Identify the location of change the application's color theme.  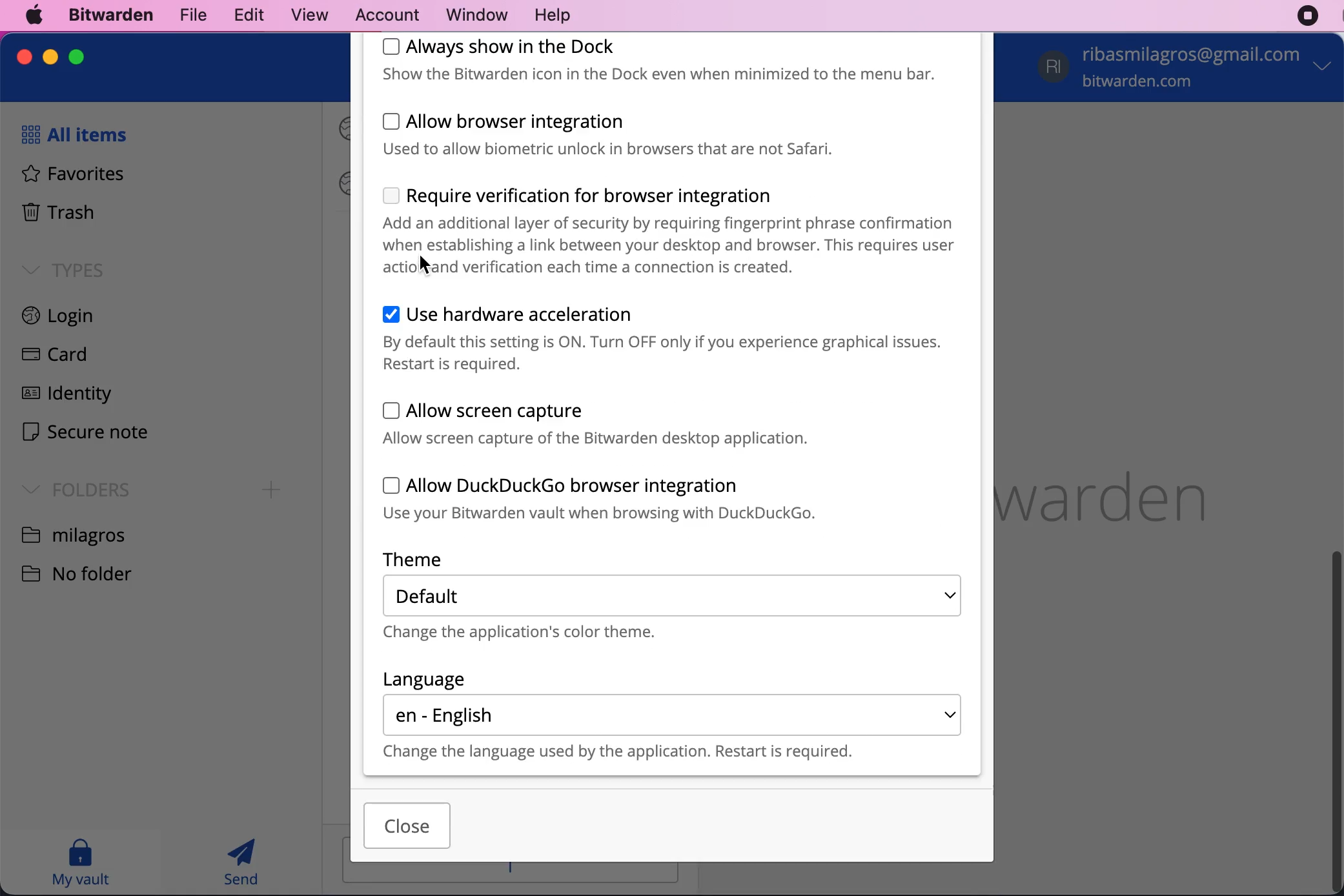
(540, 635).